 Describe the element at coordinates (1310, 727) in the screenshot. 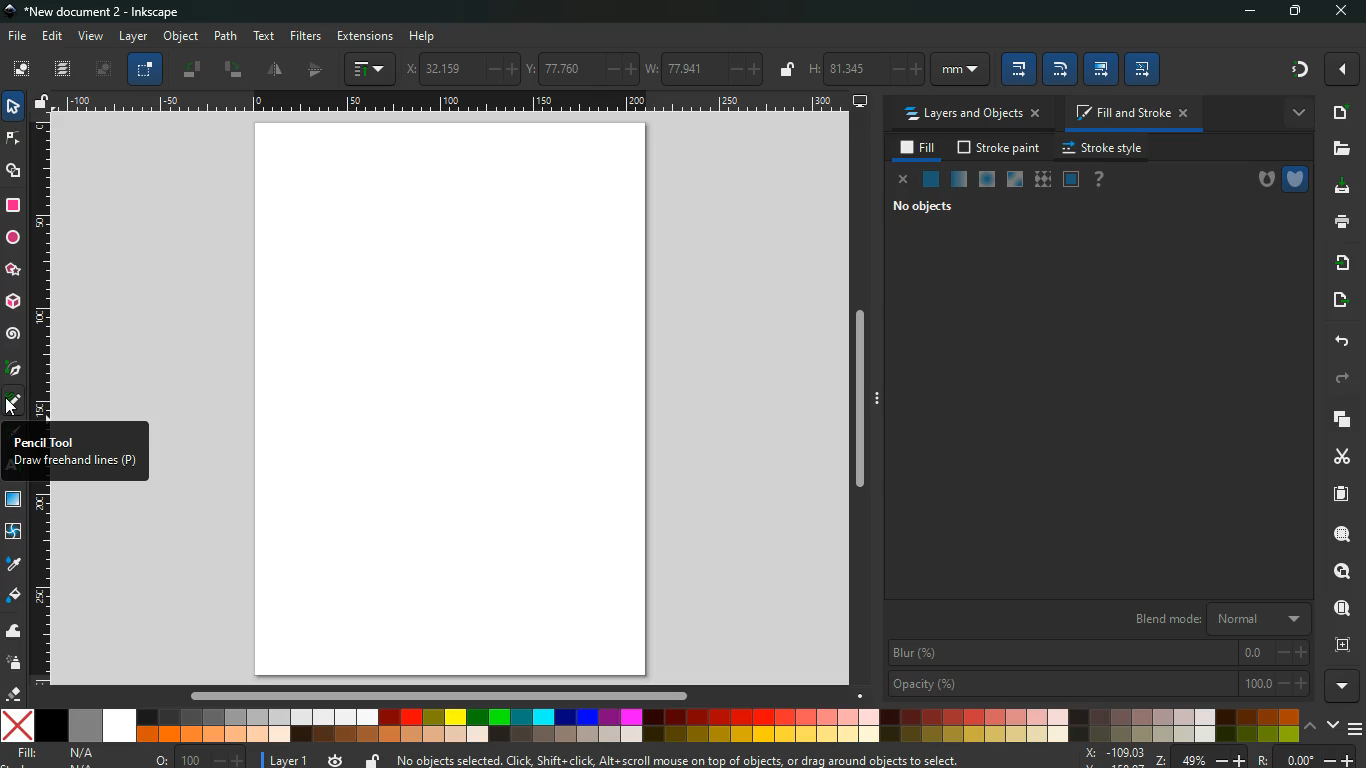

I see `up` at that location.